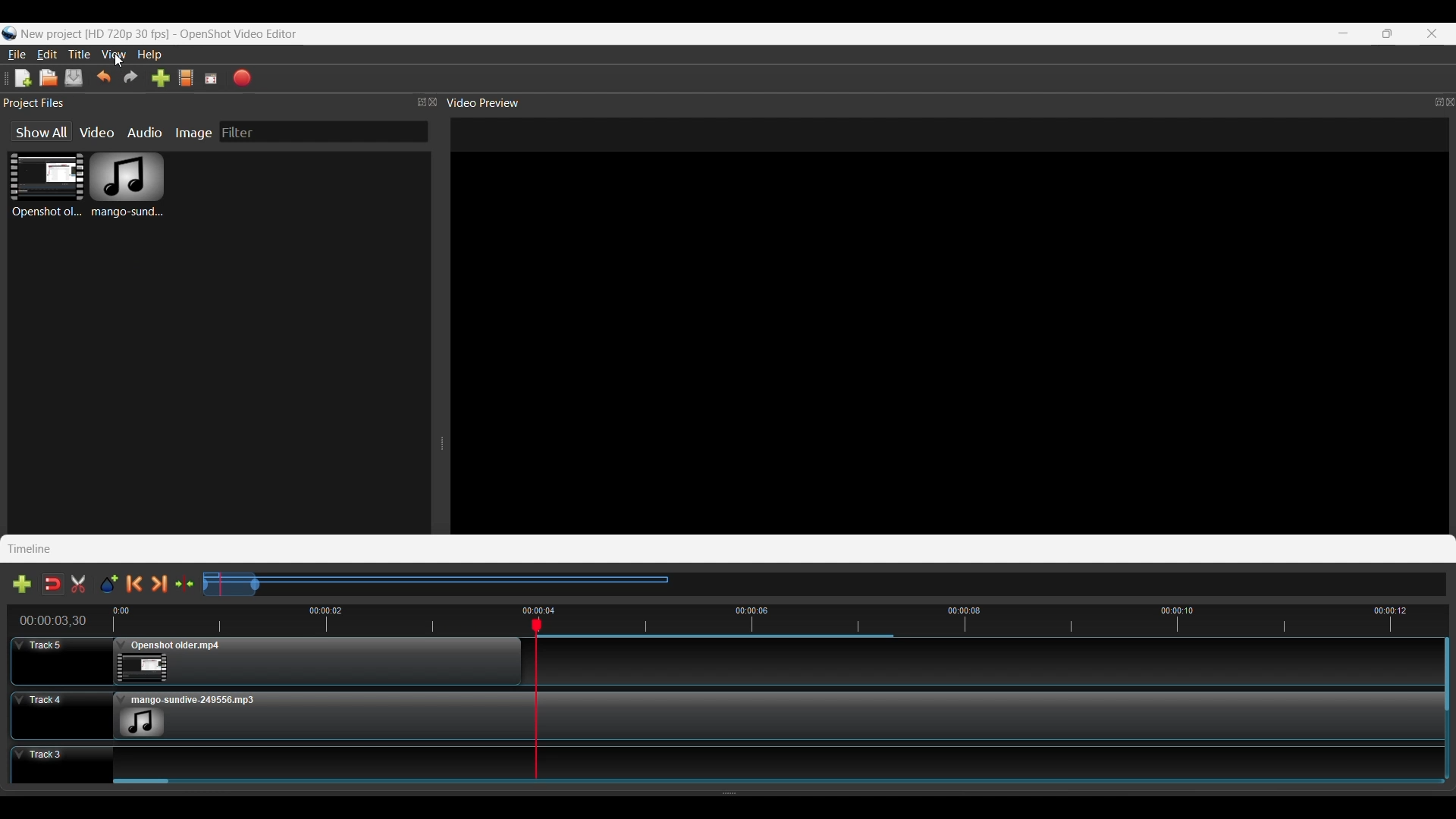 The image size is (1456, 819). I want to click on Video Preview, so click(483, 102).